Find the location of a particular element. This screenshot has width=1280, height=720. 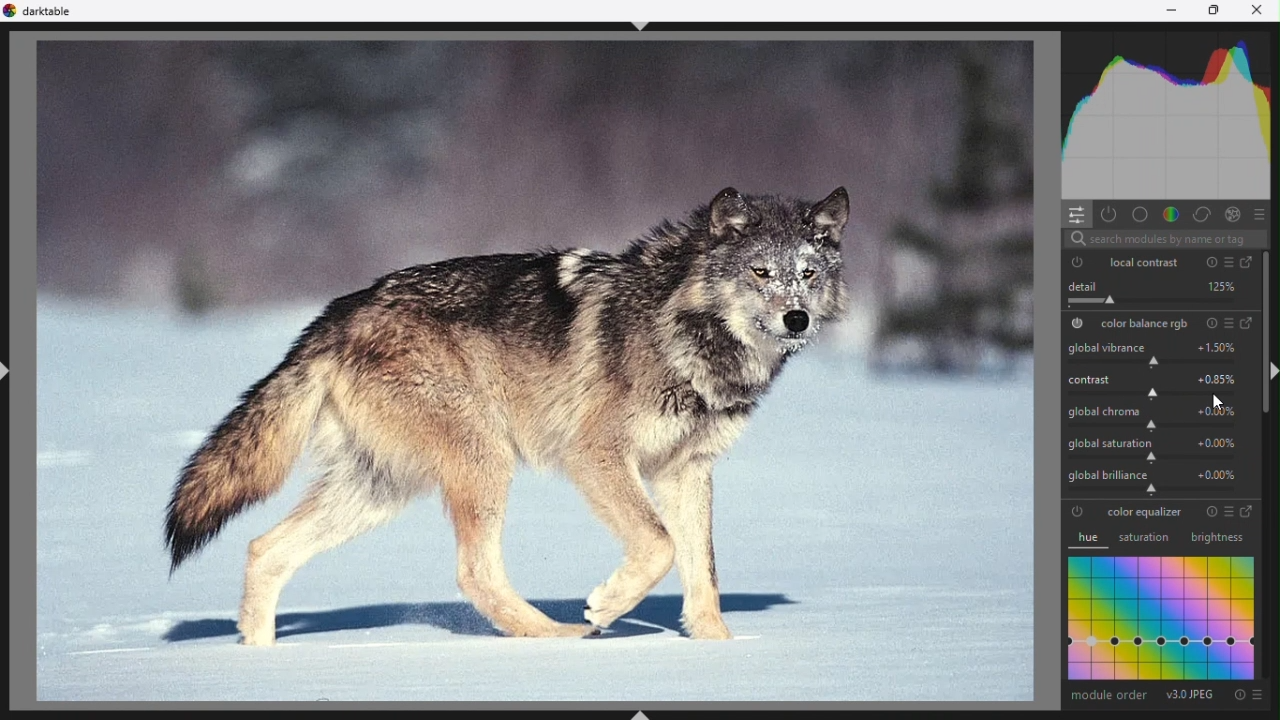

close is located at coordinates (1259, 12).